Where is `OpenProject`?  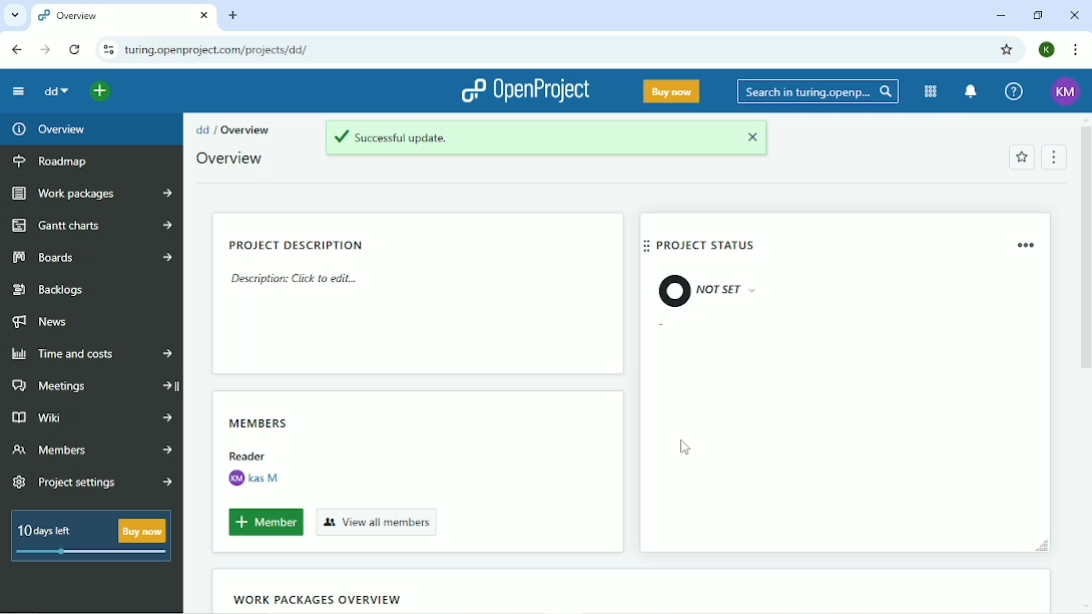
OpenProject is located at coordinates (522, 92).